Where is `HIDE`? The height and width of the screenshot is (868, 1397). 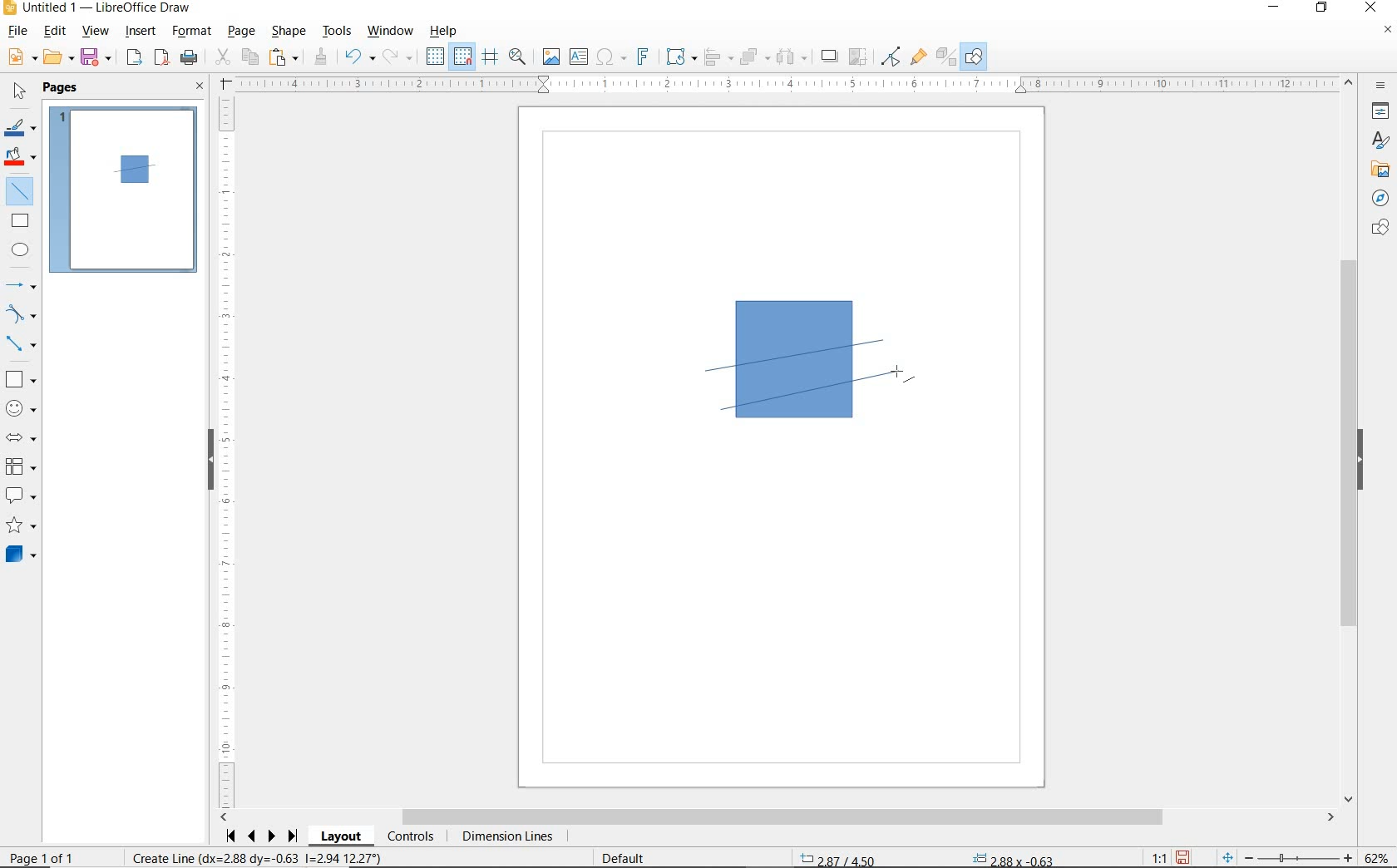 HIDE is located at coordinates (210, 461).